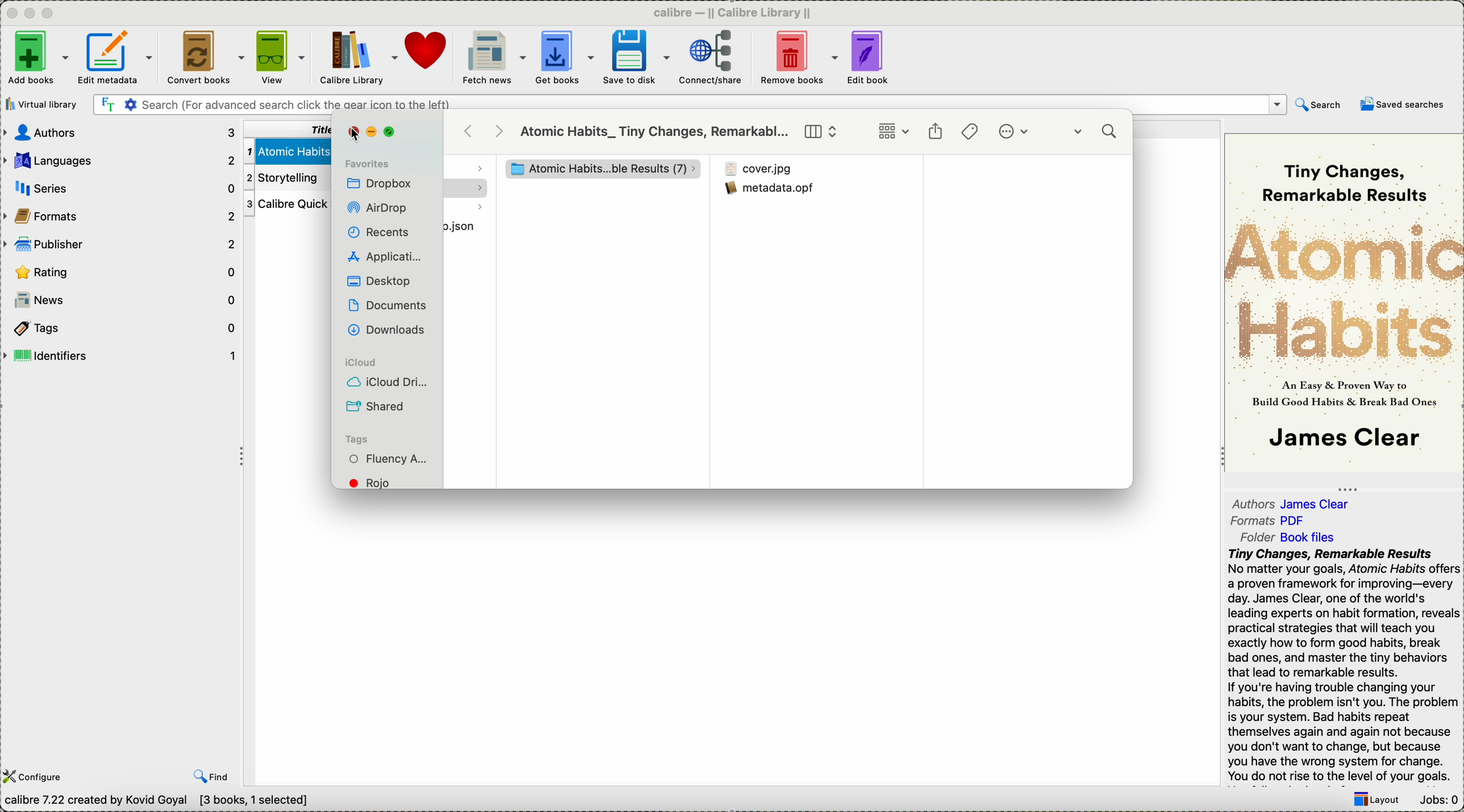 This screenshot has height=812, width=1464. Describe the element at coordinates (808, 195) in the screenshot. I see `json file` at that location.